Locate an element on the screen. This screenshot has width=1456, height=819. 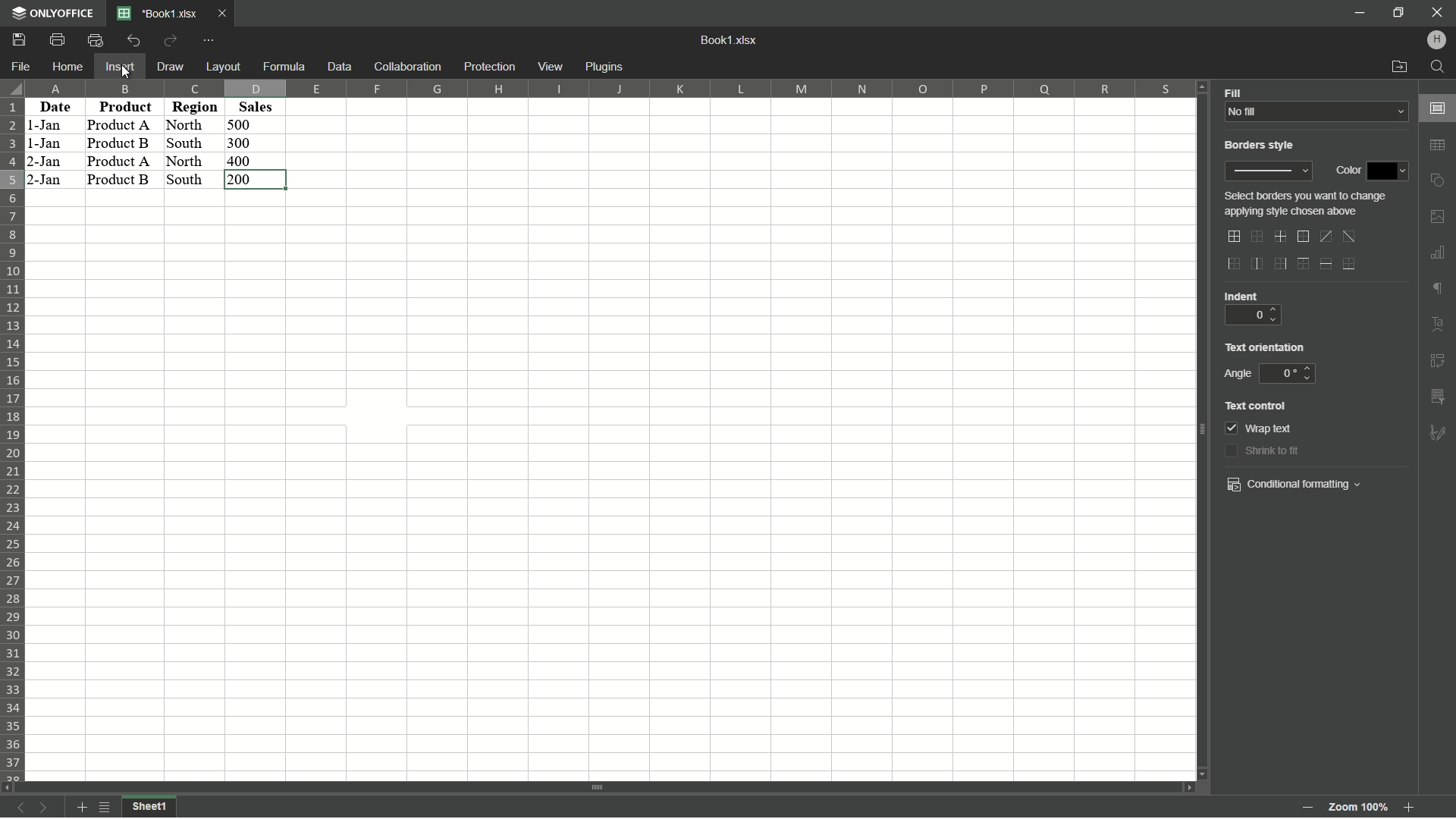
Formula is located at coordinates (283, 67).